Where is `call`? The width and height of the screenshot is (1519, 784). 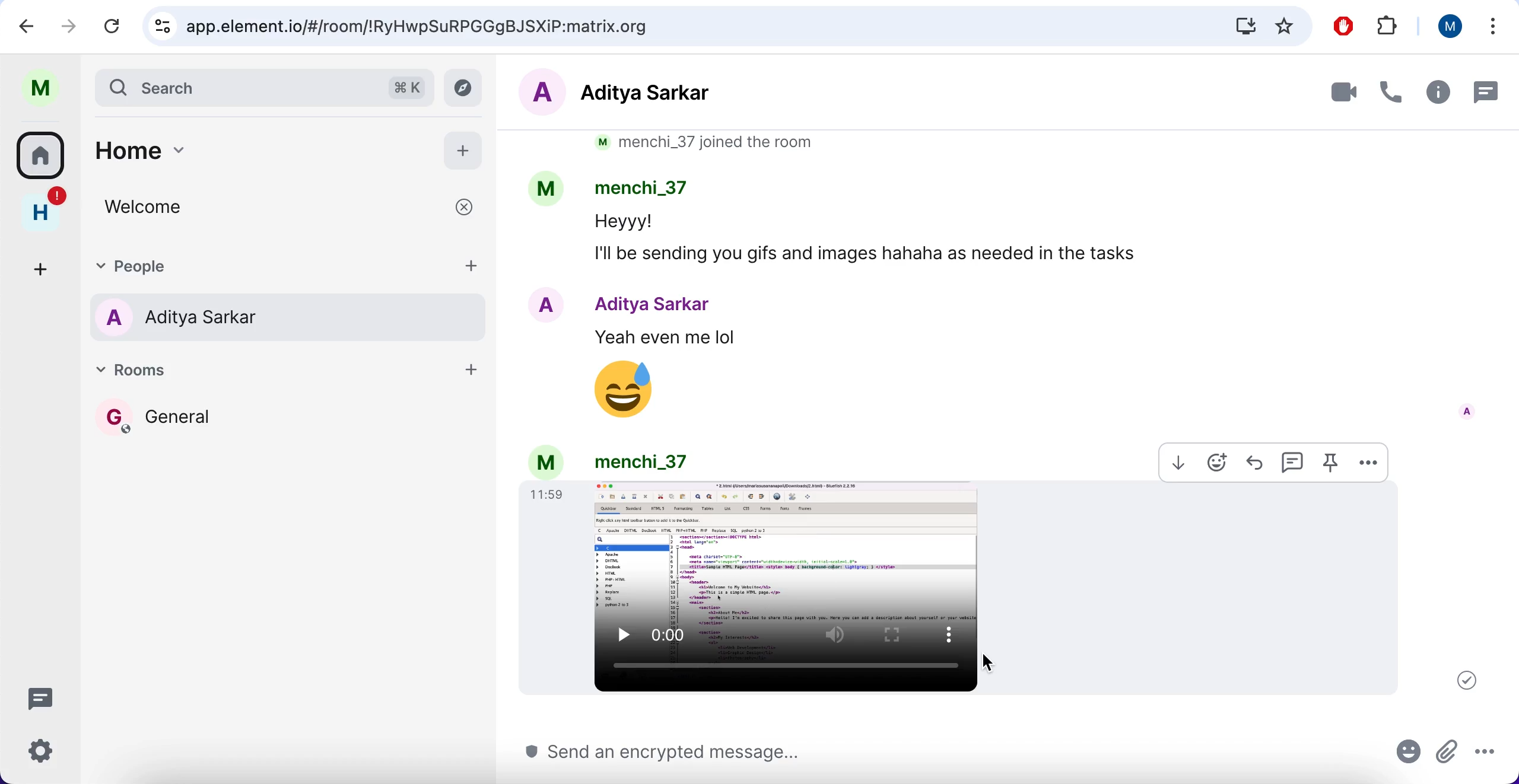
call is located at coordinates (1385, 96).